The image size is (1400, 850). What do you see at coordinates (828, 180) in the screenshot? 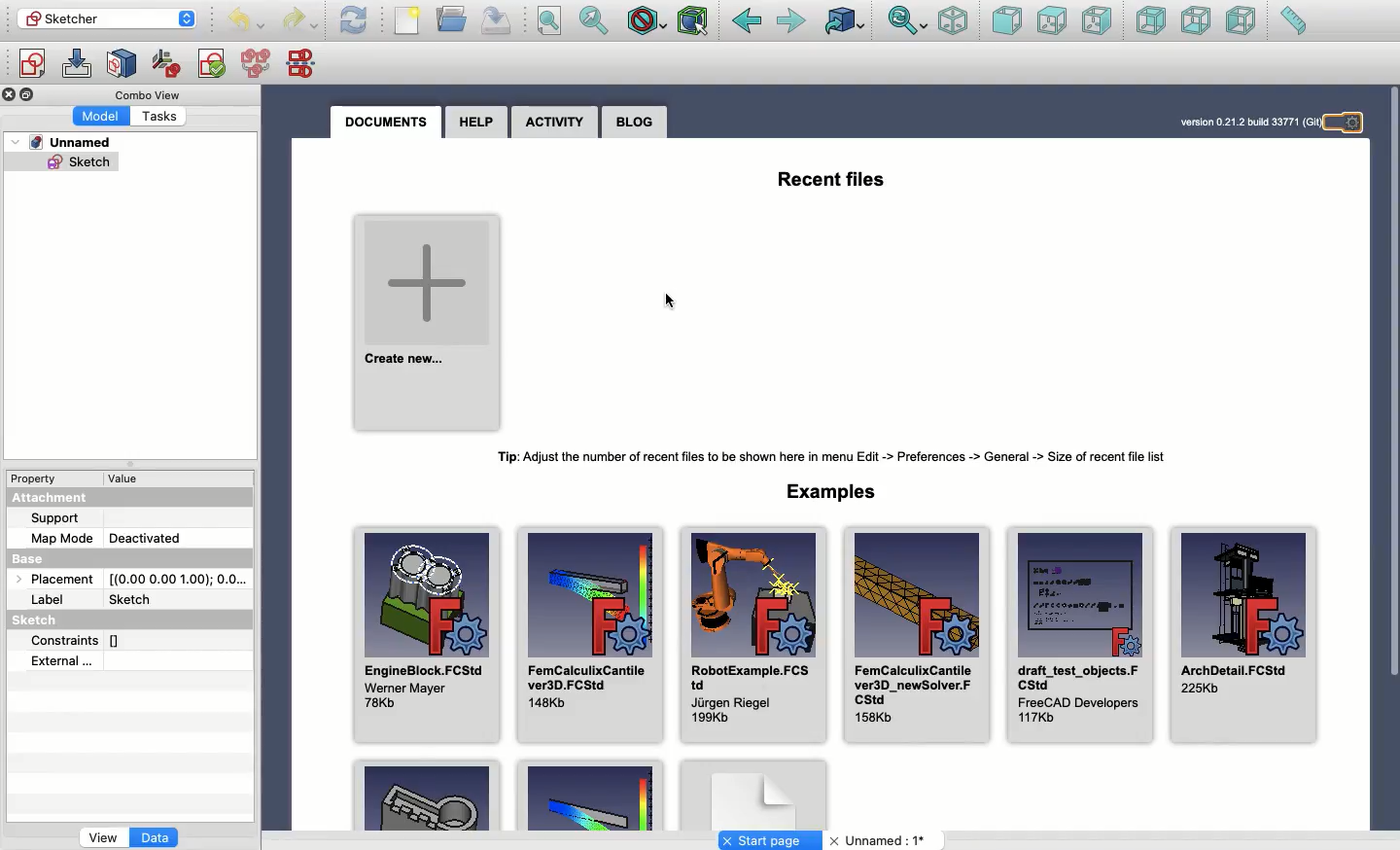
I see `Recent files` at bounding box center [828, 180].